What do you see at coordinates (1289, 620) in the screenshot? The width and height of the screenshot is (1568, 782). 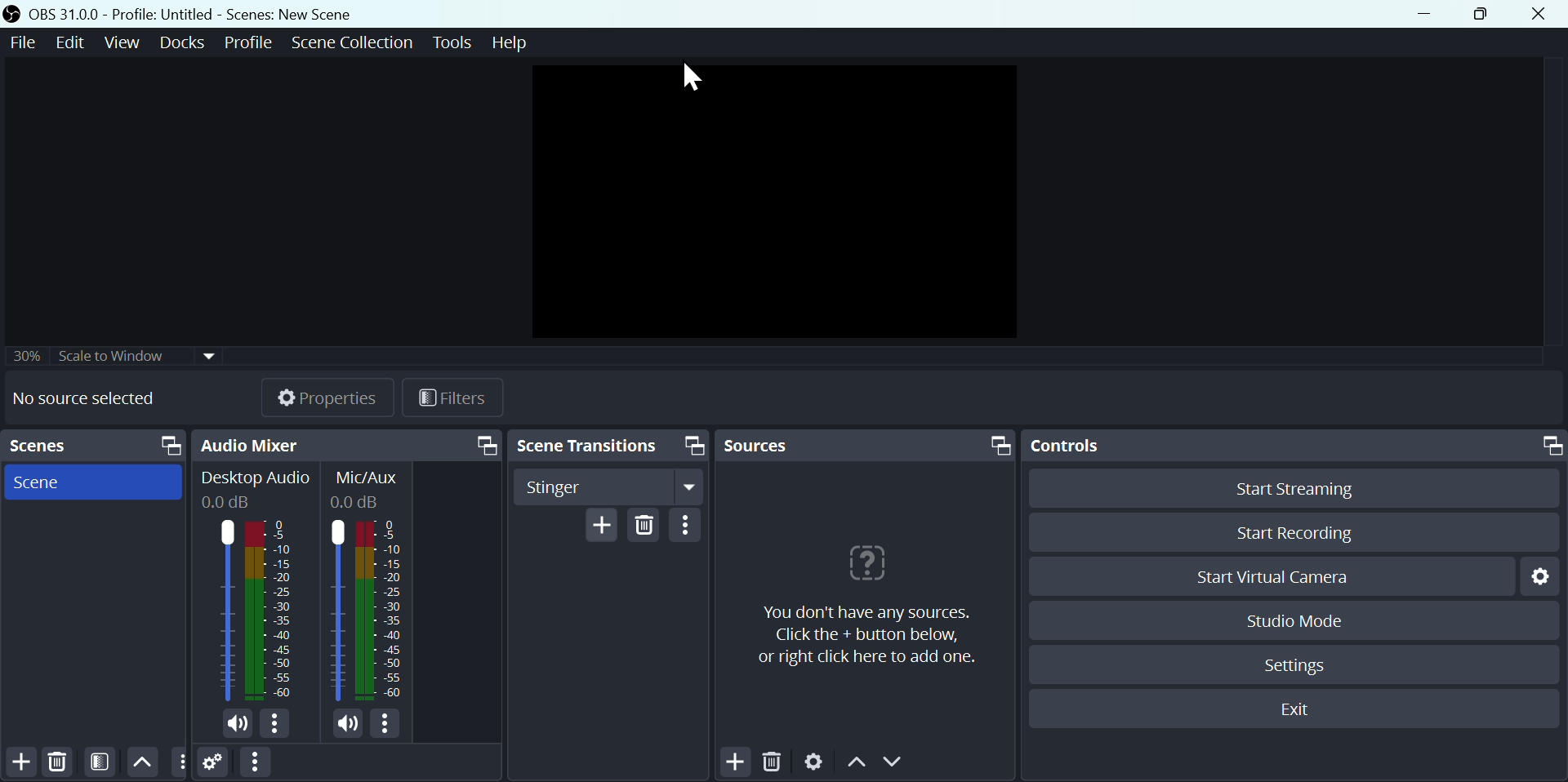 I see `Studio mode` at bounding box center [1289, 620].